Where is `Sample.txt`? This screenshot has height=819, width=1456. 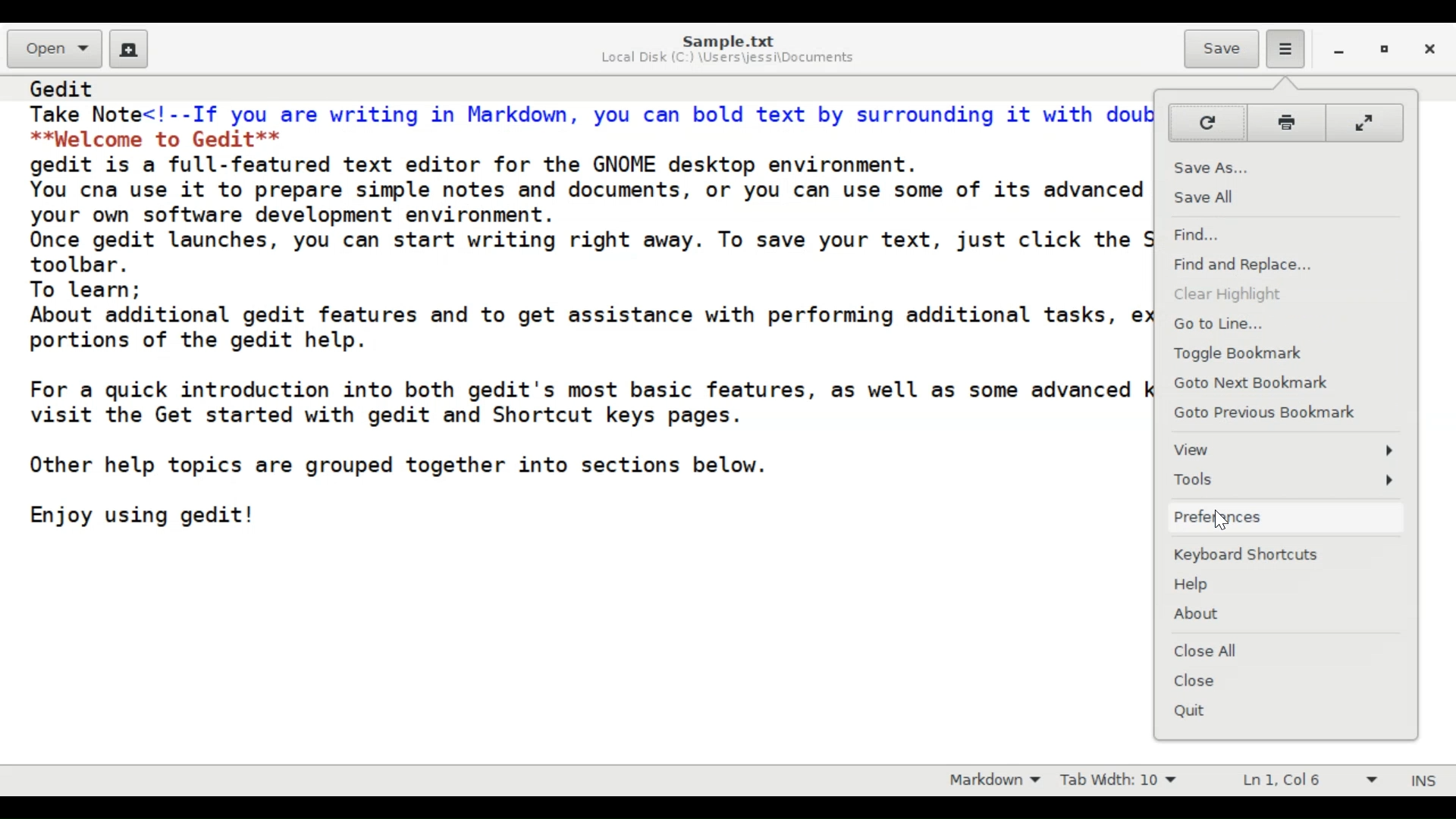
Sample.txt is located at coordinates (729, 41).